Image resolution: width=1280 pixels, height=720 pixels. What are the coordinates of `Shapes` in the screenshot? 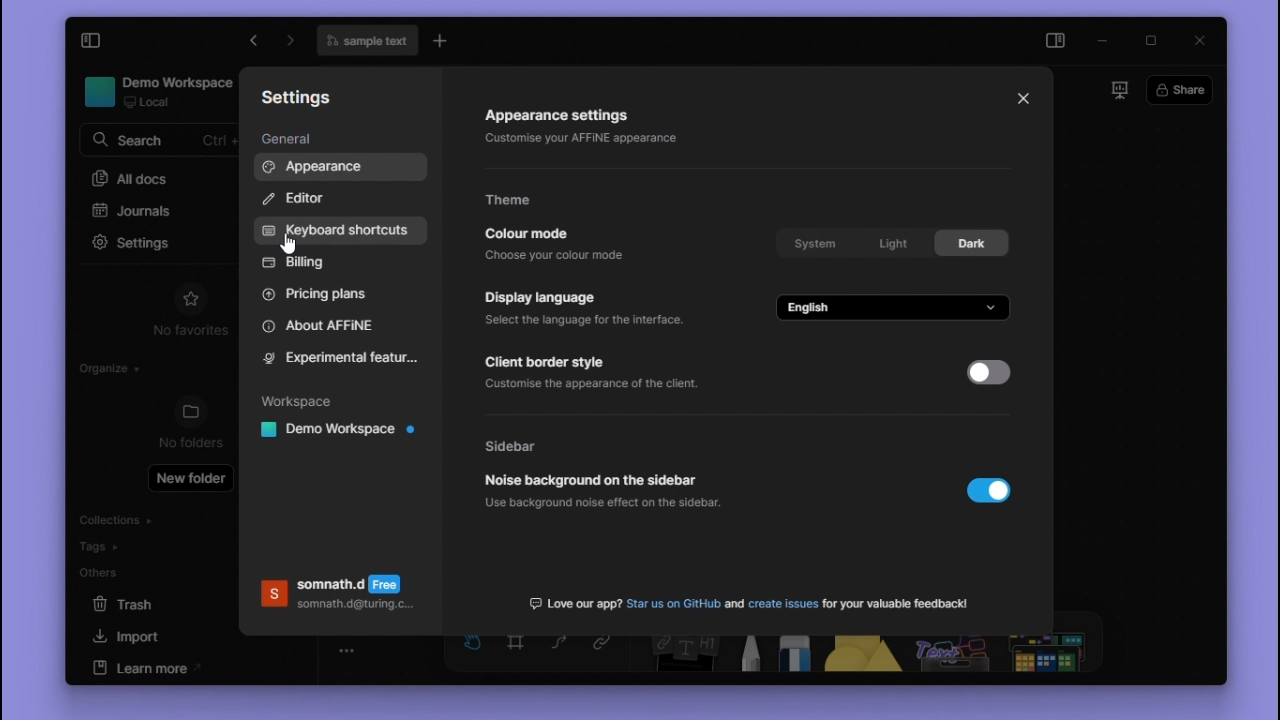 It's located at (857, 657).